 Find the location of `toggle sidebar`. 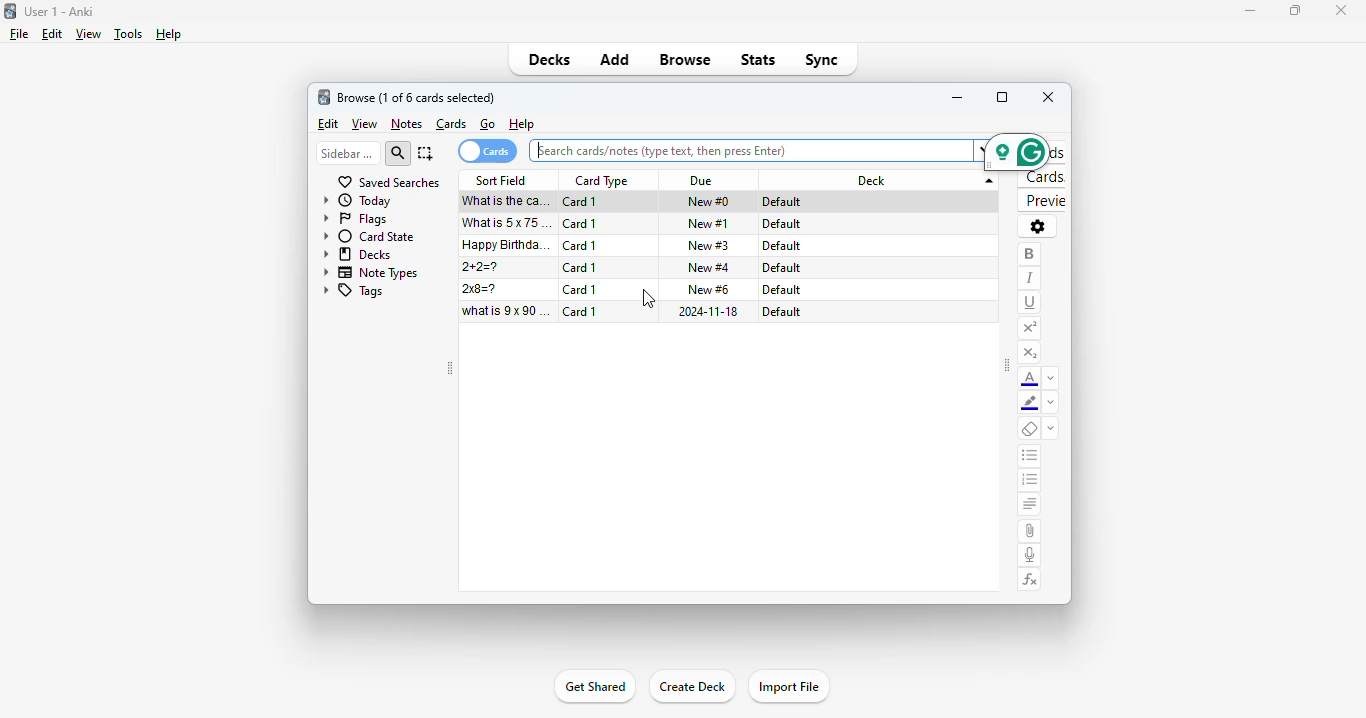

toggle sidebar is located at coordinates (1007, 367).